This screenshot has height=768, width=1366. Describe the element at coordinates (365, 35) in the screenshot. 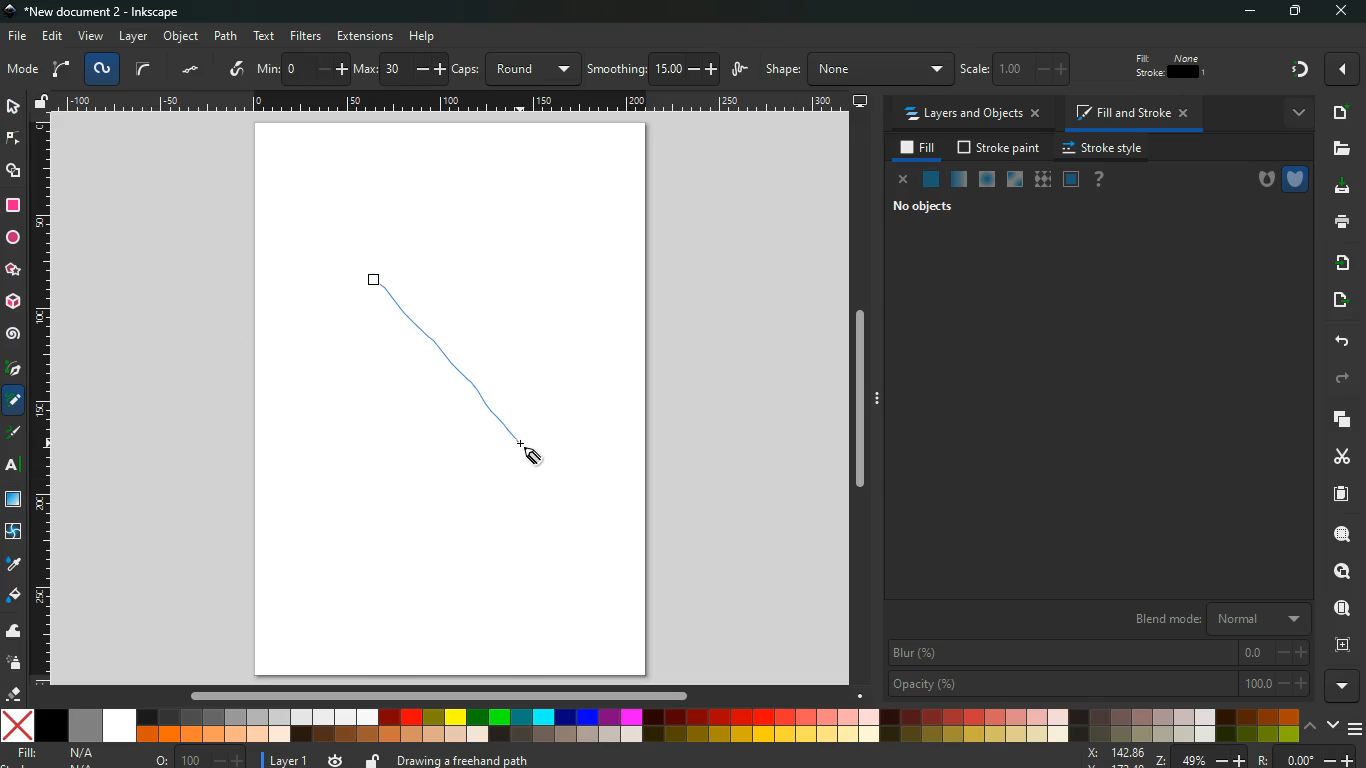

I see `extensions` at that location.